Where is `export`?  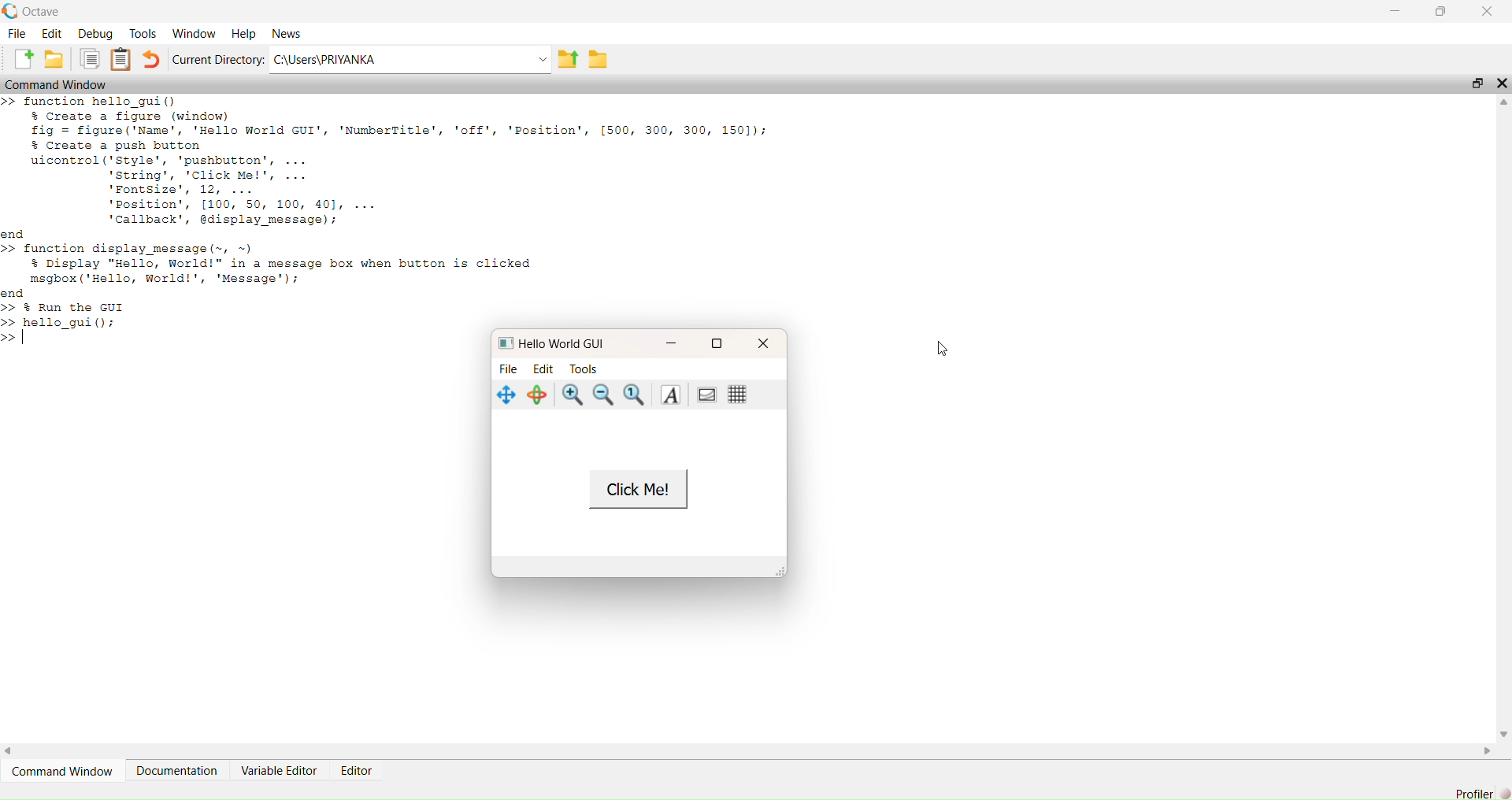
export is located at coordinates (569, 64).